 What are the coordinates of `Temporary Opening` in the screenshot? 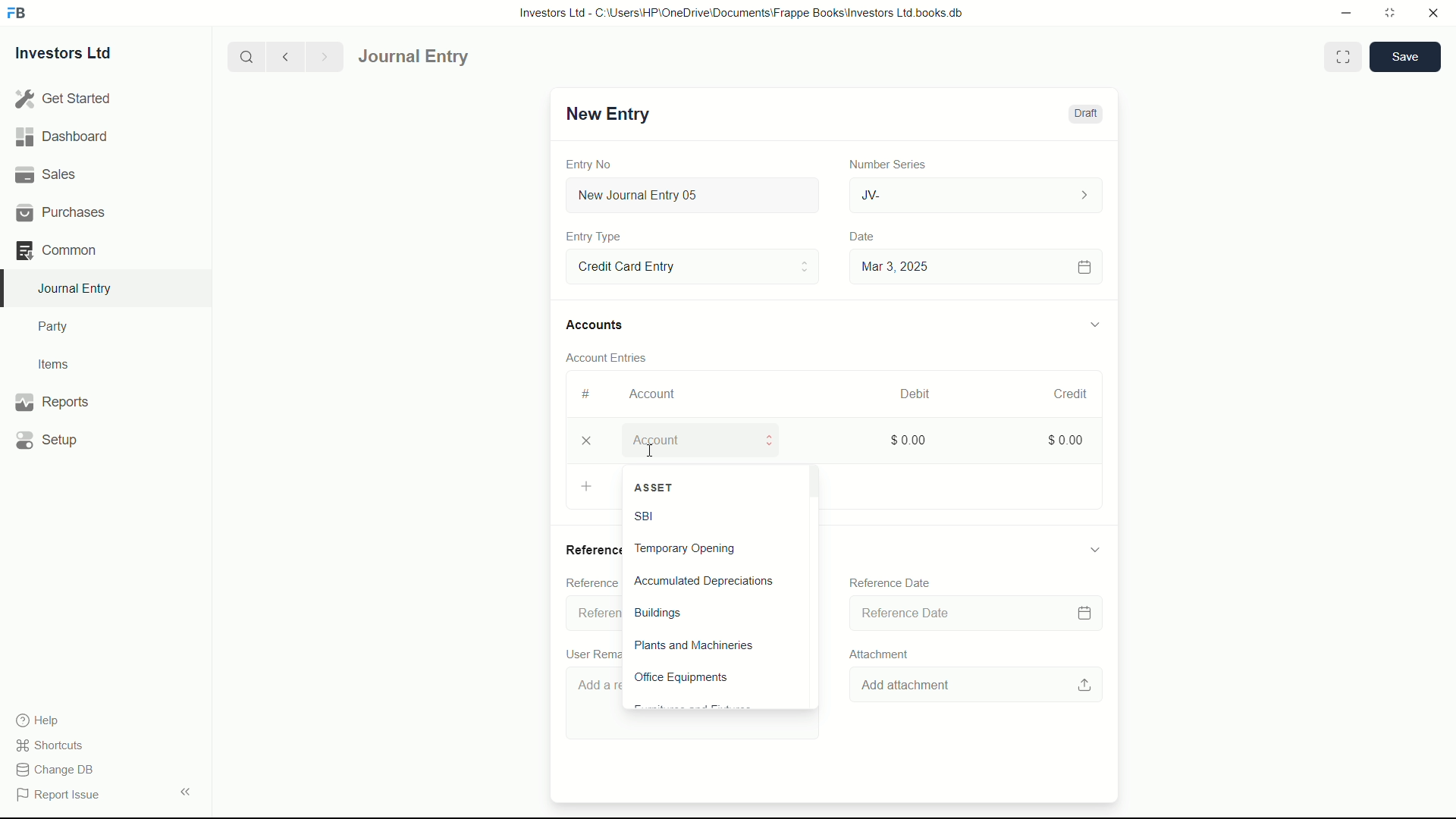 It's located at (716, 550).